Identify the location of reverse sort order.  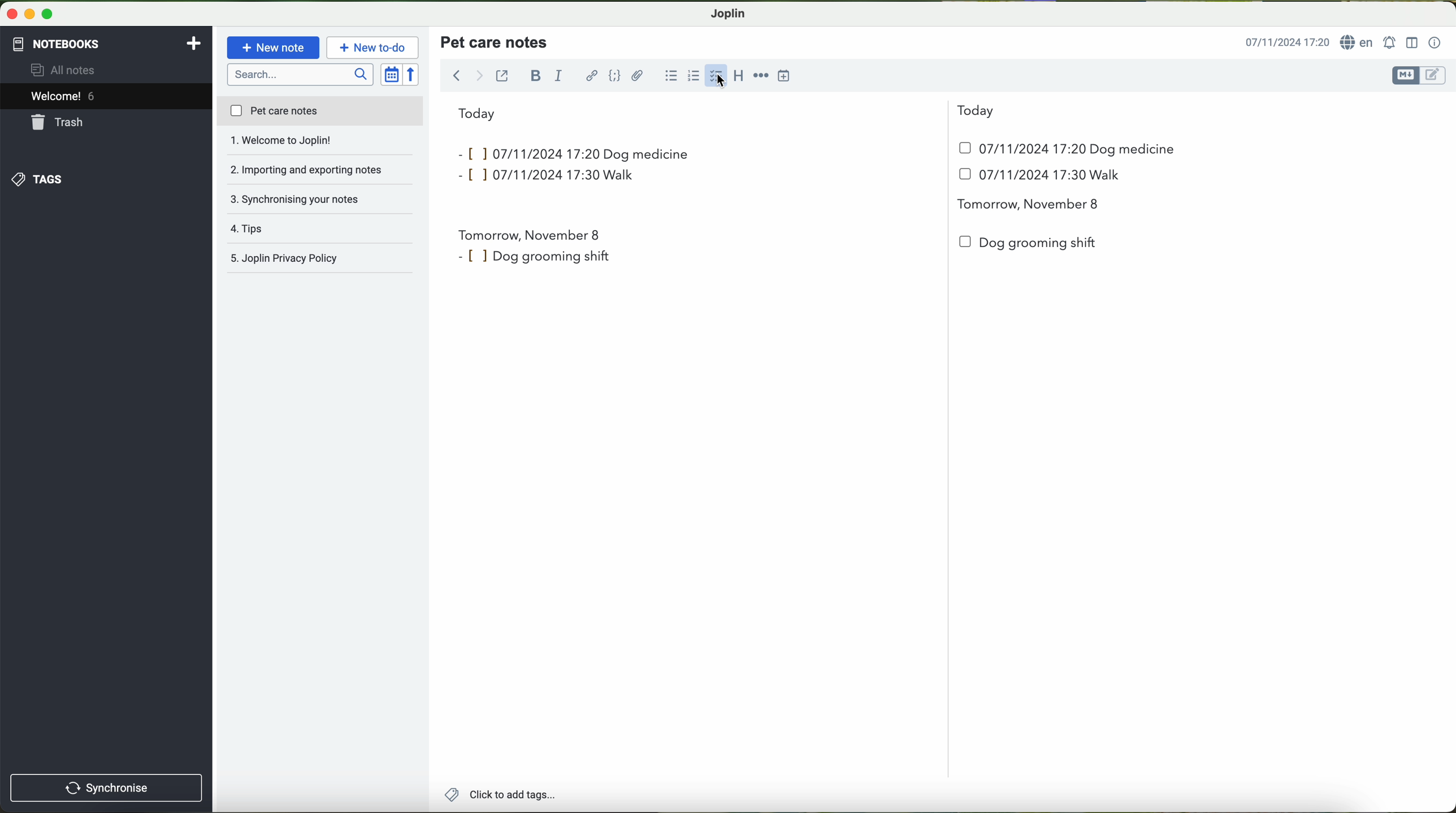
(414, 75).